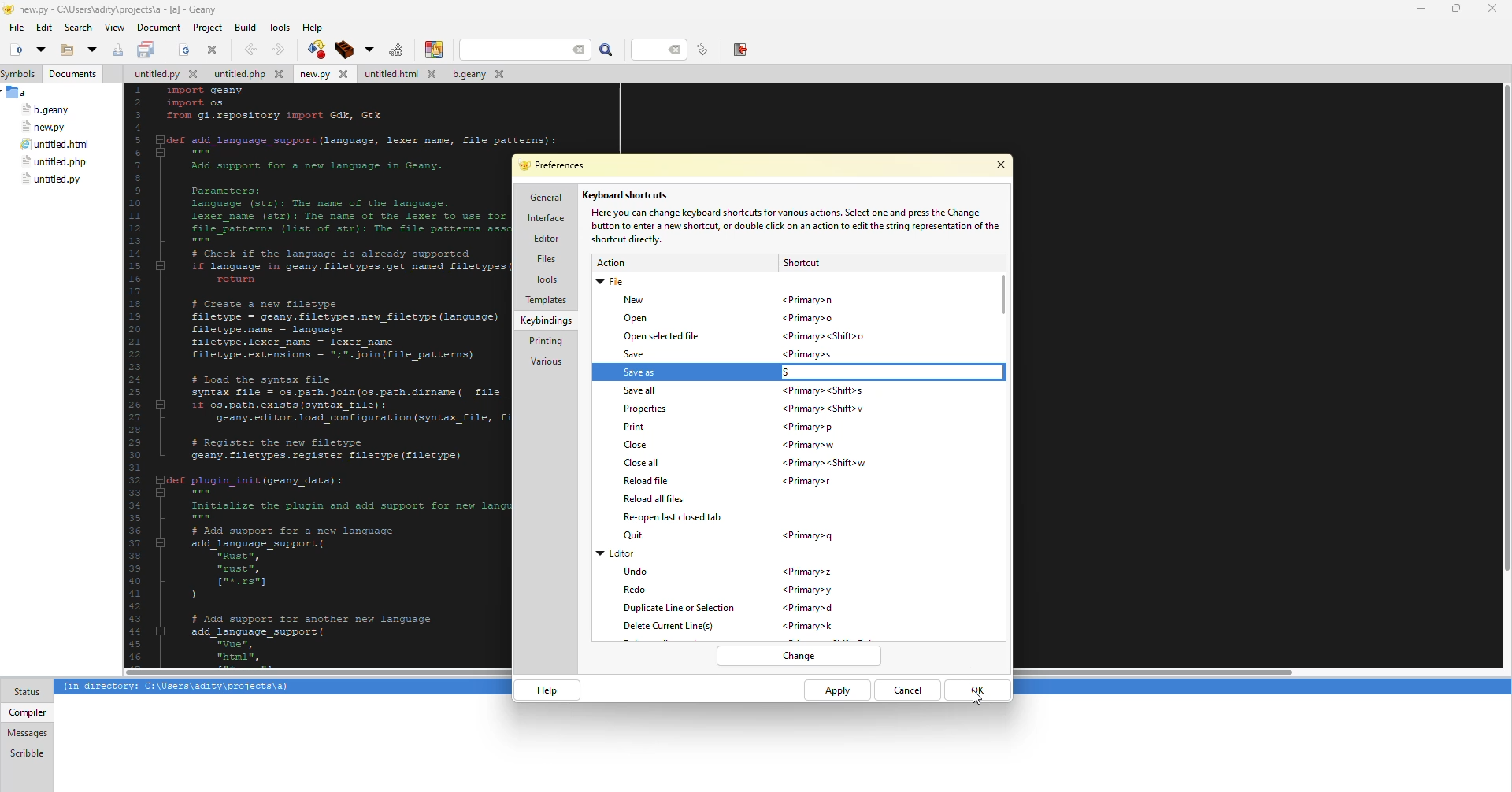 The height and width of the screenshot is (792, 1512). What do you see at coordinates (547, 320) in the screenshot?
I see `keybindings` at bounding box center [547, 320].